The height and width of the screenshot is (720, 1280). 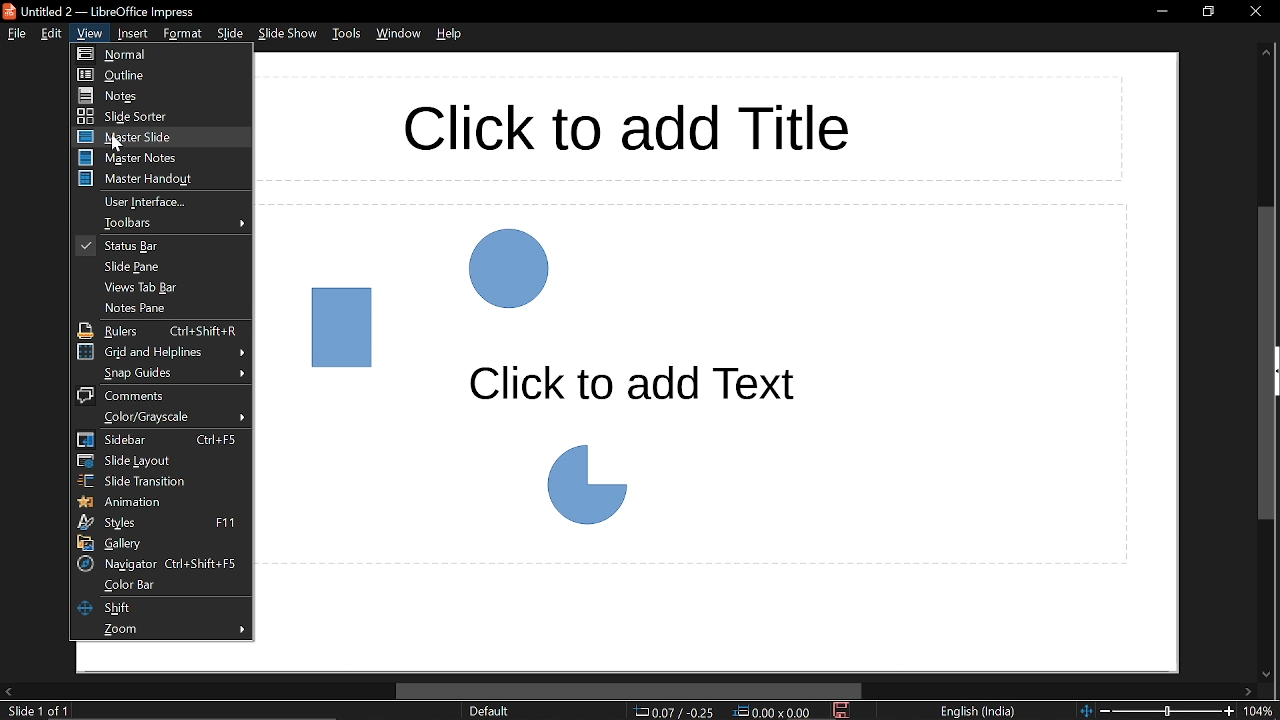 What do you see at coordinates (159, 267) in the screenshot?
I see `Slide pane` at bounding box center [159, 267].